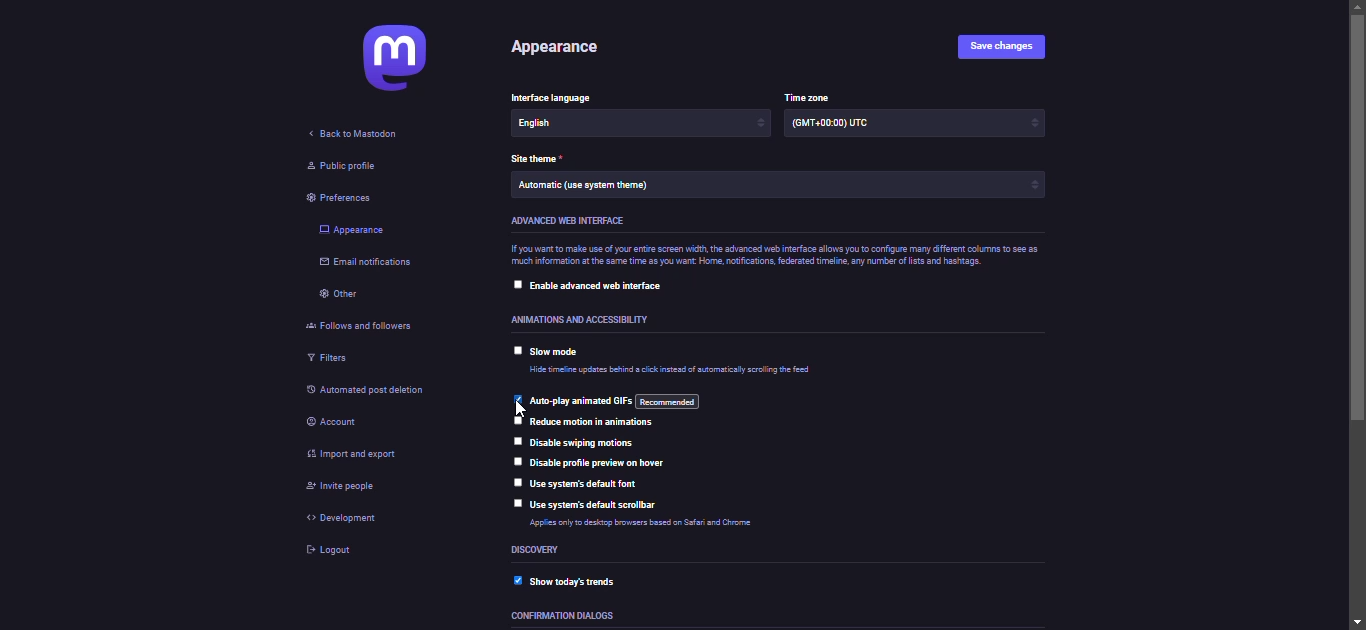  I want to click on enabled, so click(517, 578).